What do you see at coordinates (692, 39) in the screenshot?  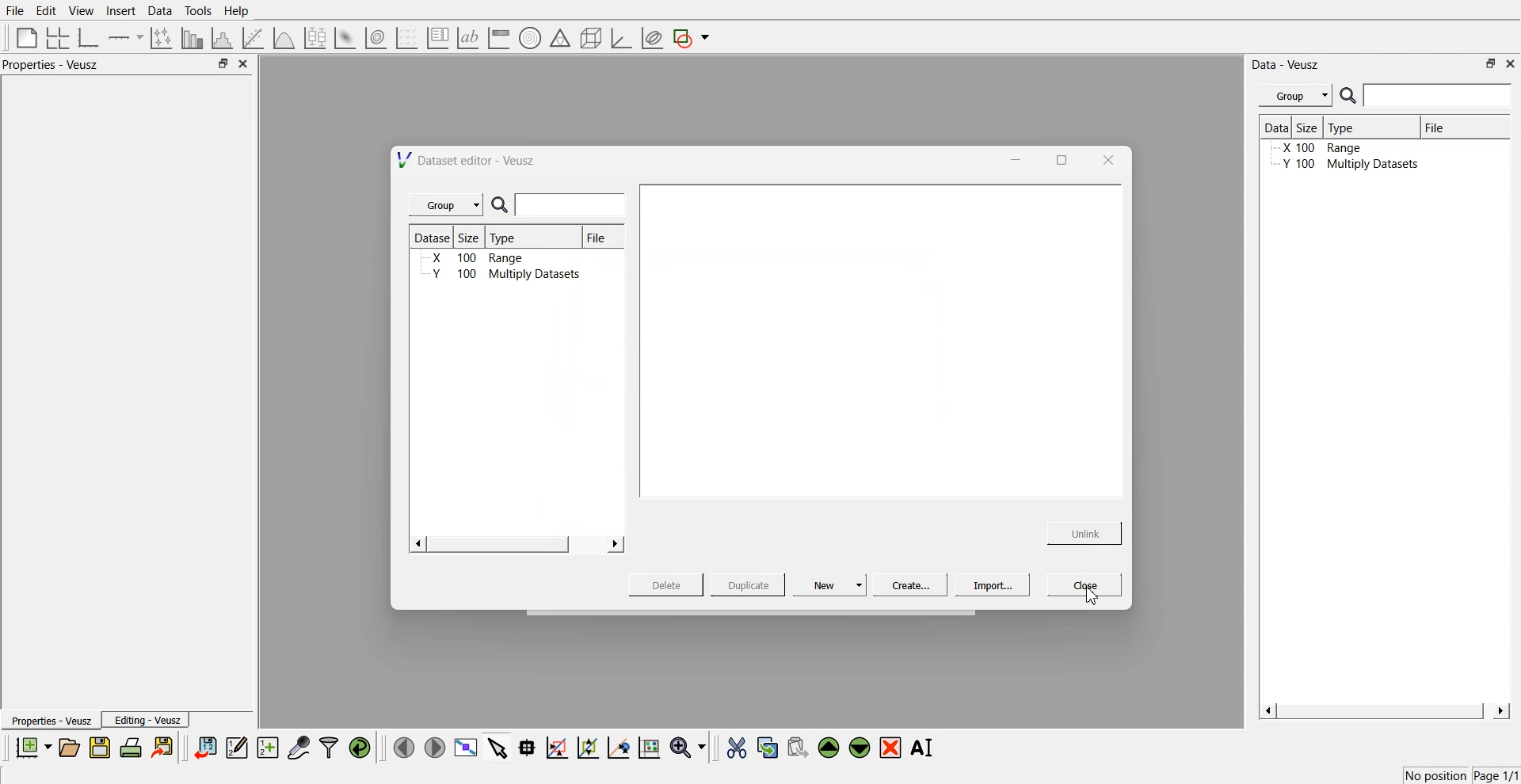 I see `add a shape` at bounding box center [692, 39].